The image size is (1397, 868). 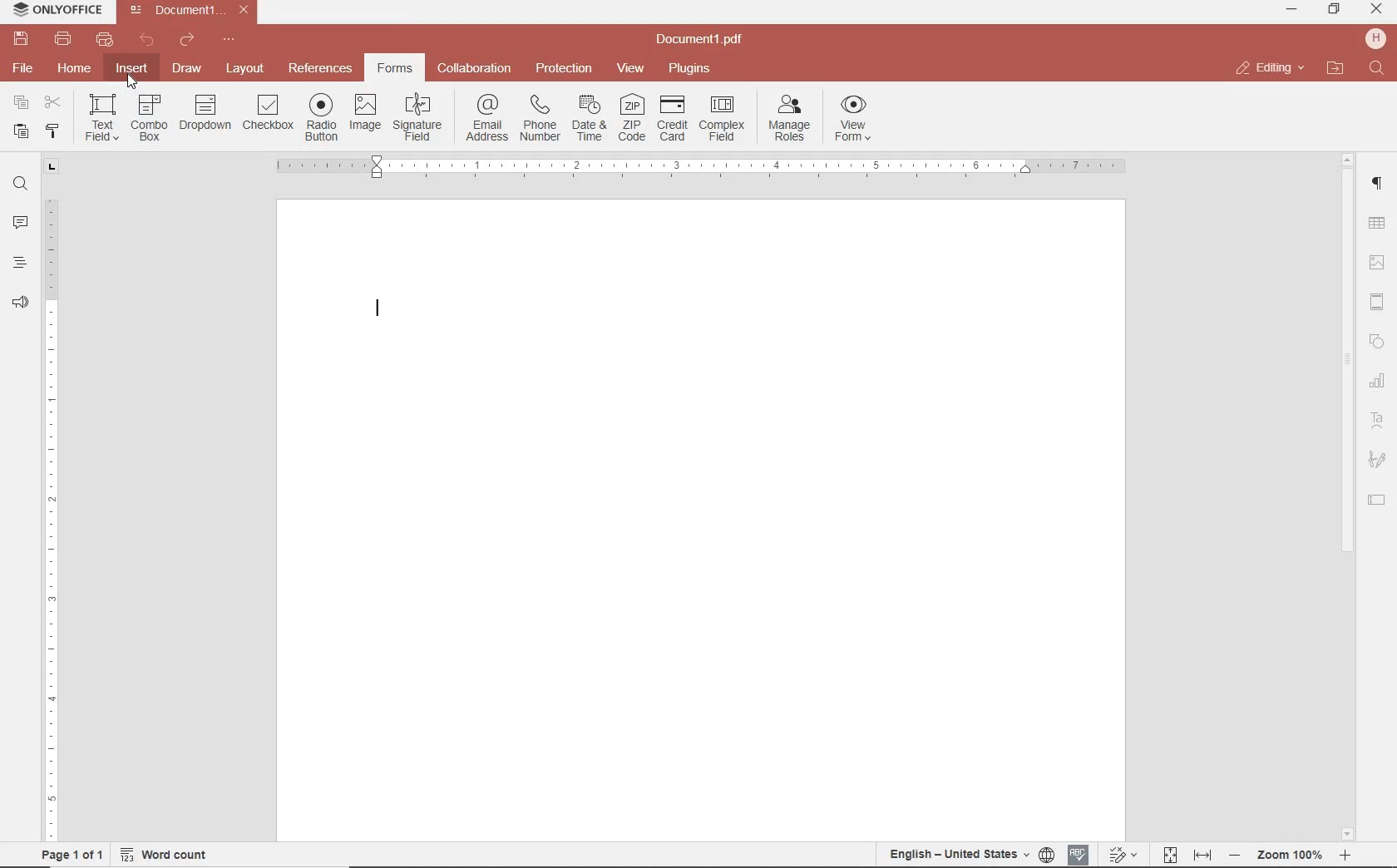 I want to click on quick print, so click(x=103, y=39).